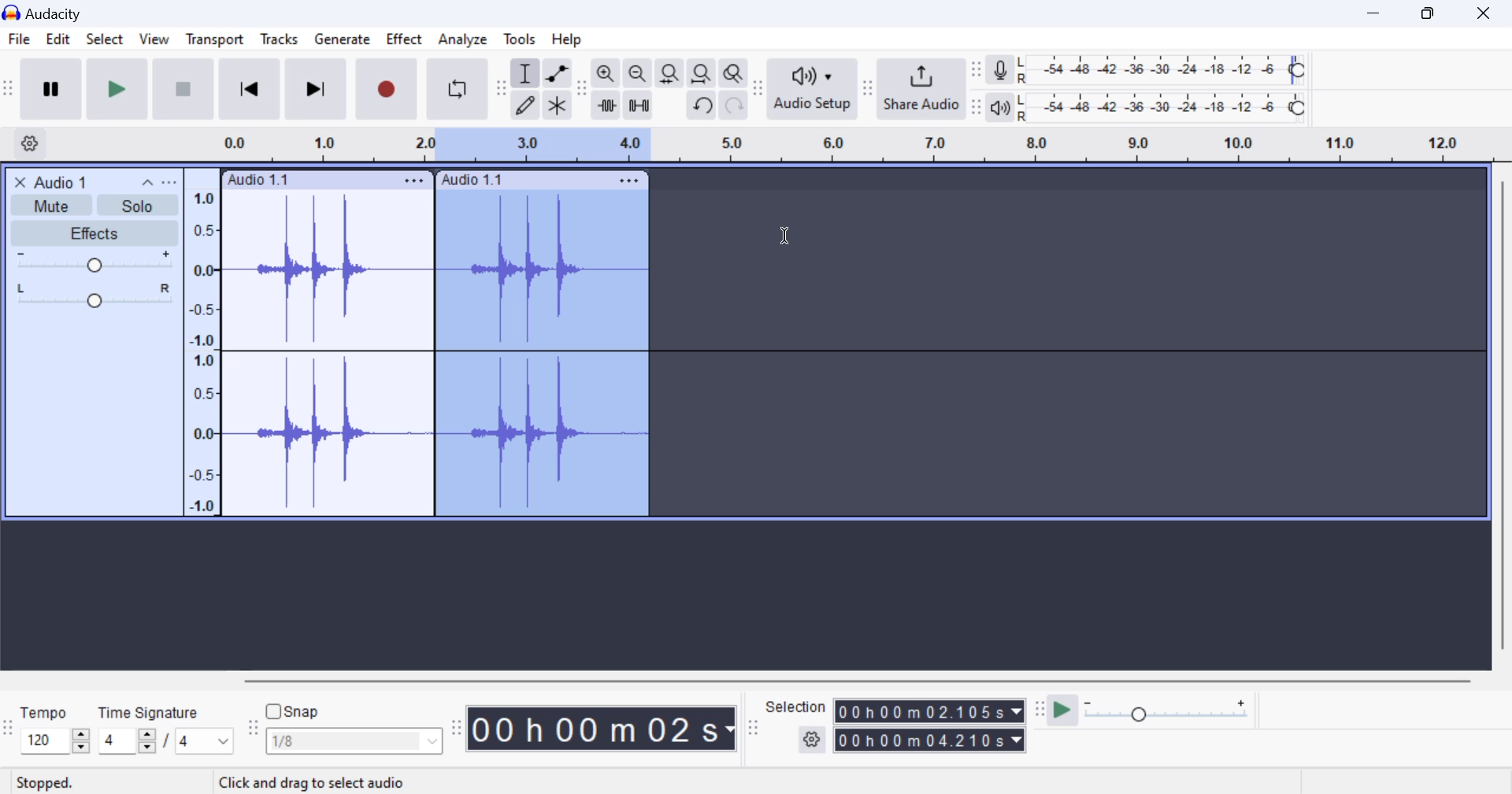 This screenshot has height=794, width=1512. I want to click on Audio Clip, so click(327, 354).